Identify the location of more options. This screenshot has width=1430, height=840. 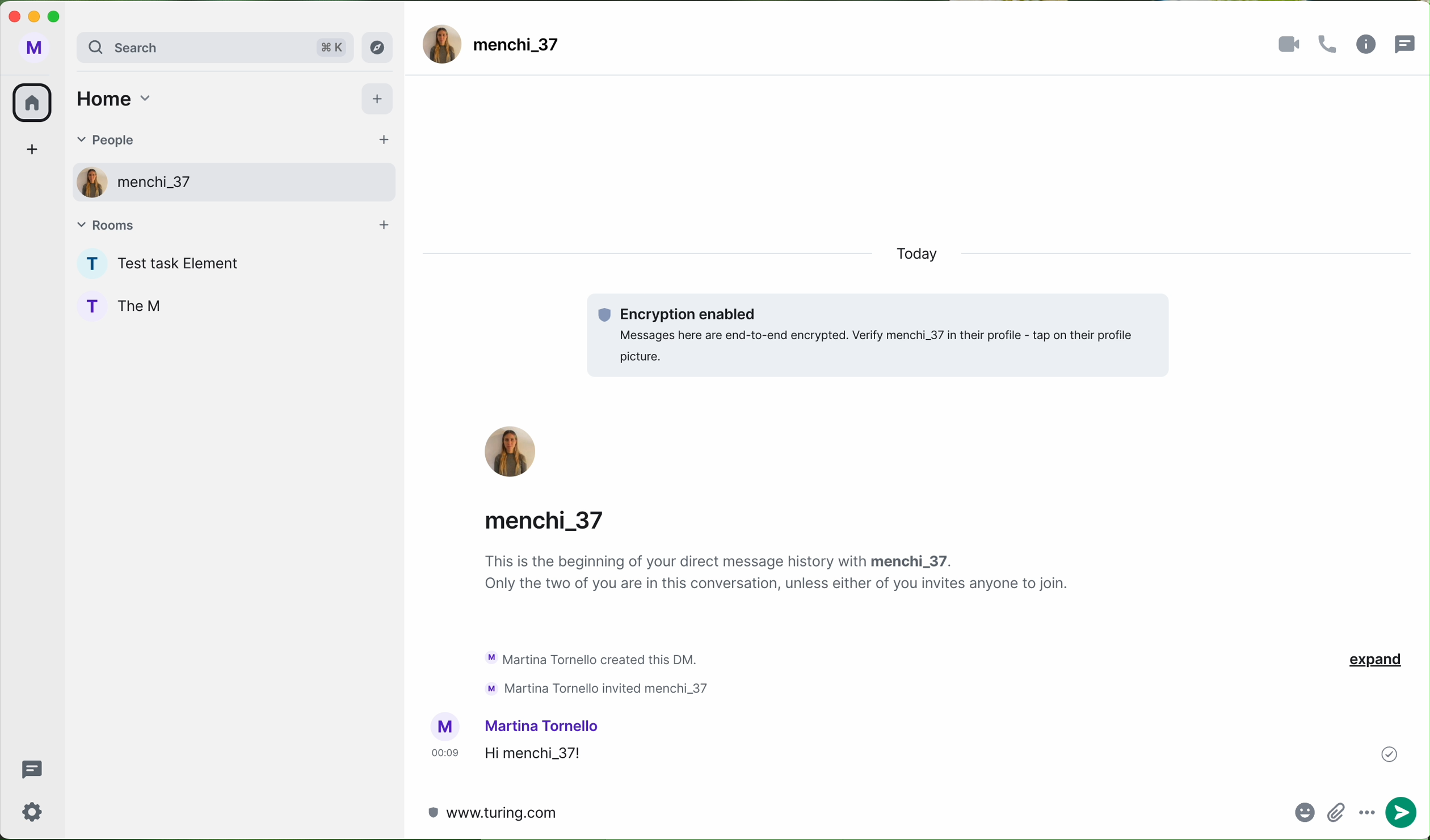
(1370, 811).